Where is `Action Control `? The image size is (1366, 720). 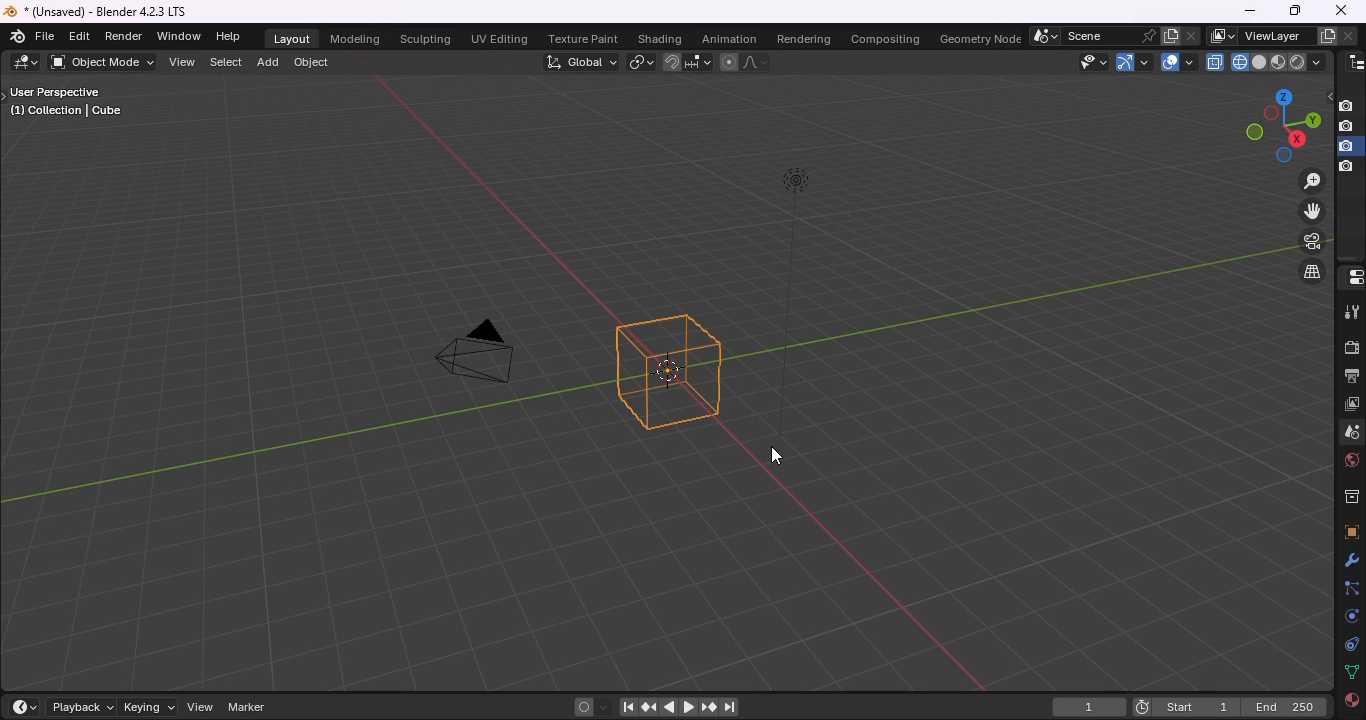
Action Control  is located at coordinates (1351, 278).